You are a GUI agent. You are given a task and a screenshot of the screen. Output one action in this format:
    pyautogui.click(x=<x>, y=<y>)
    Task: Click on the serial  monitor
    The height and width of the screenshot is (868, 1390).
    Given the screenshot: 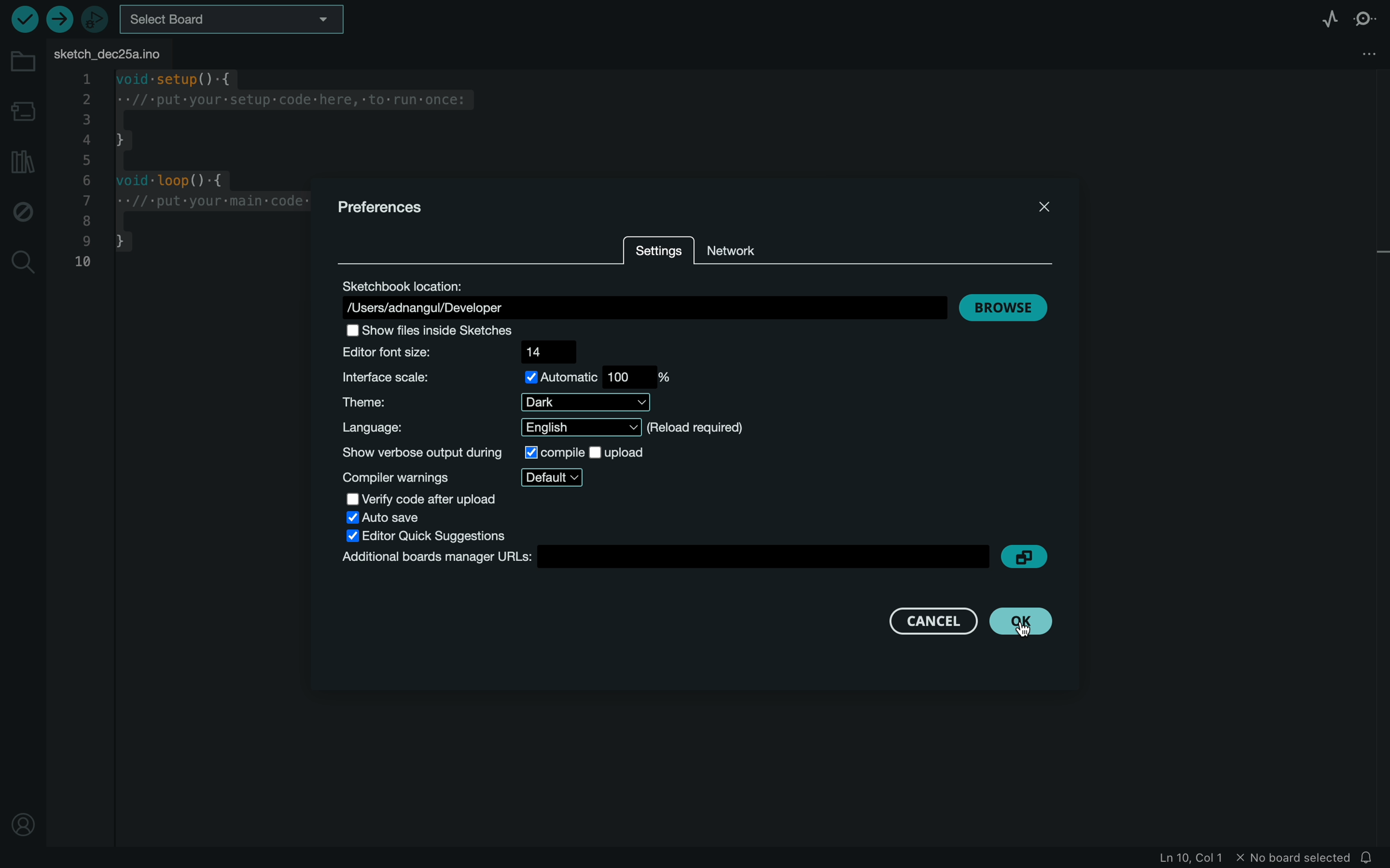 What is the action you would take?
    pyautogui.click(x=1366, y=17)
    